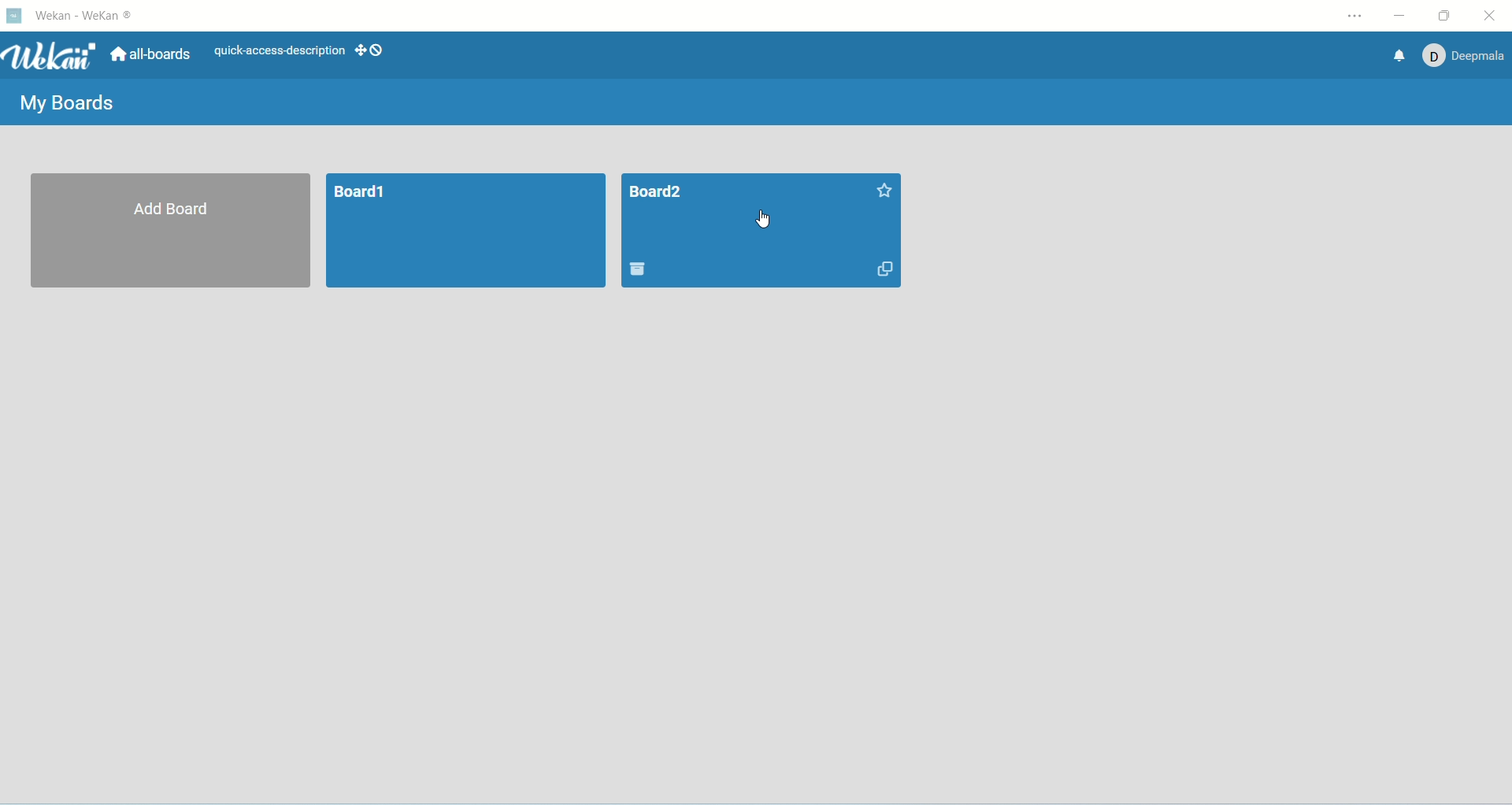  Describe the element at coordinates (74, 106) in the screenshot. I see `my boards` at that location.